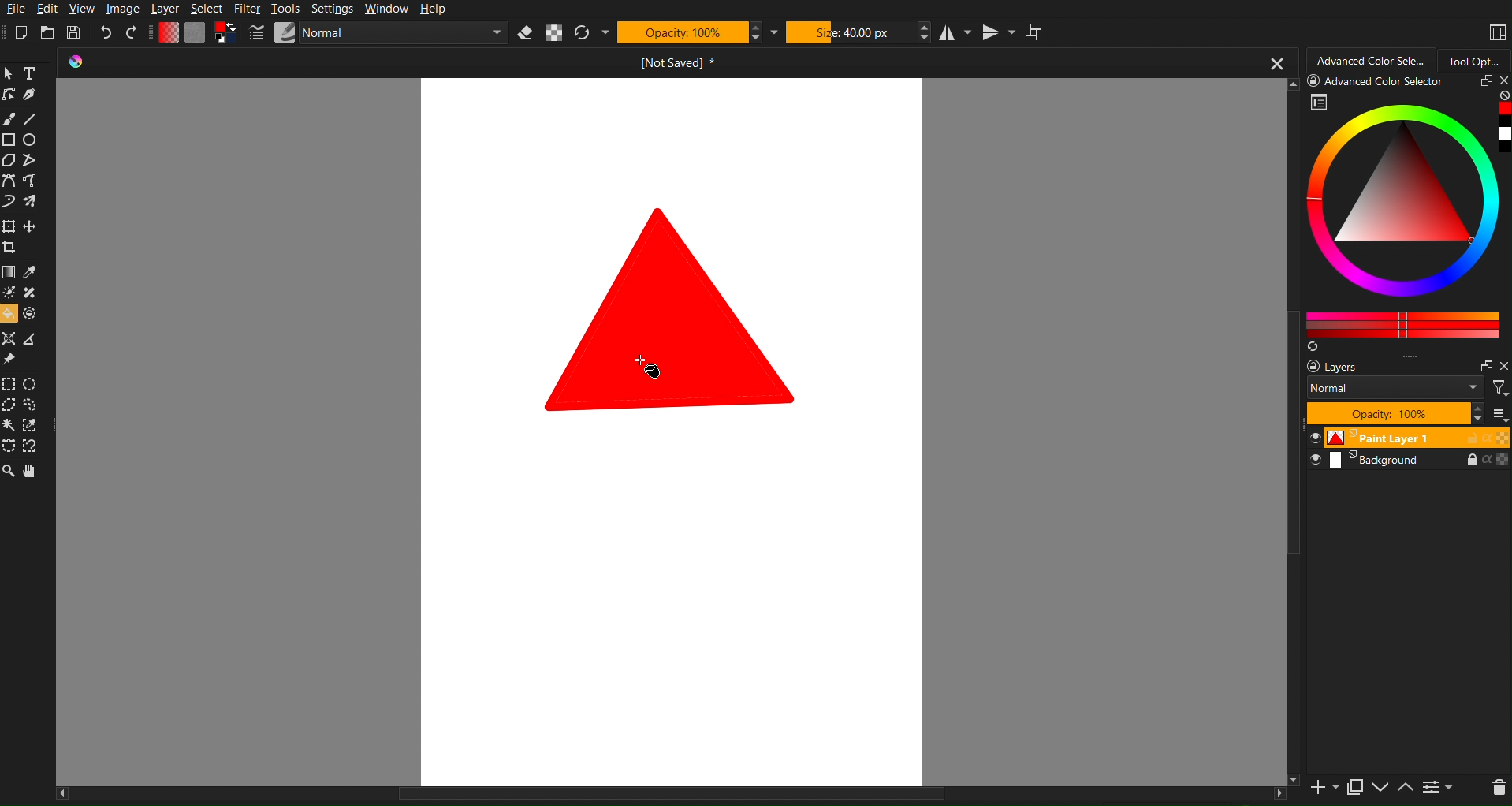 The width and height of the screenshot is (1512, 806). What do you see at coordinates (9, 140) in the screenshot?
I see `rectangle tool` at bounding box center [9, 140].